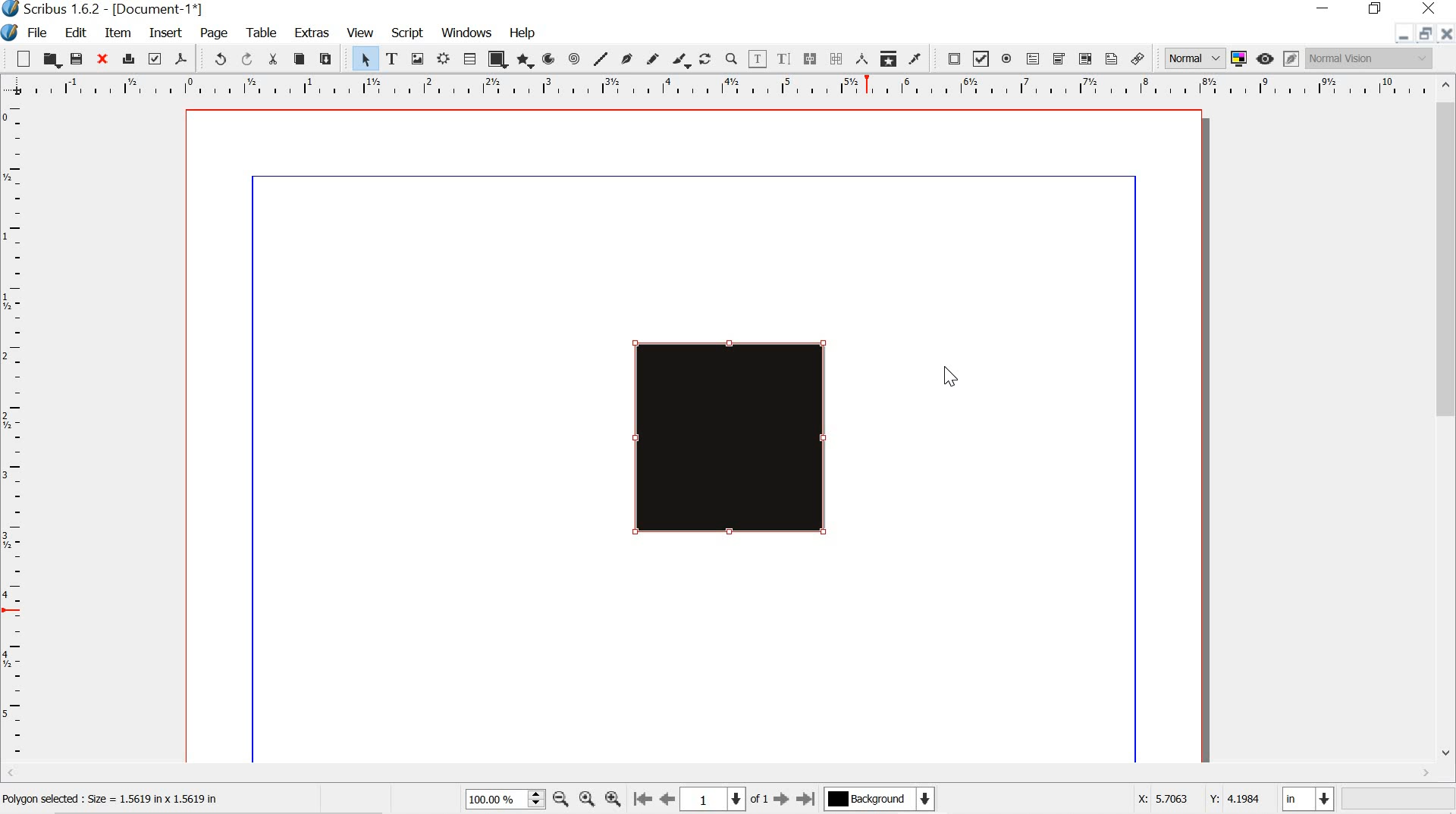 This screenshot has width=1456, height=814. What do you see at coordinates (759, 800) in the screenshot?
I see `of 1` at bounding box center [759, 800].